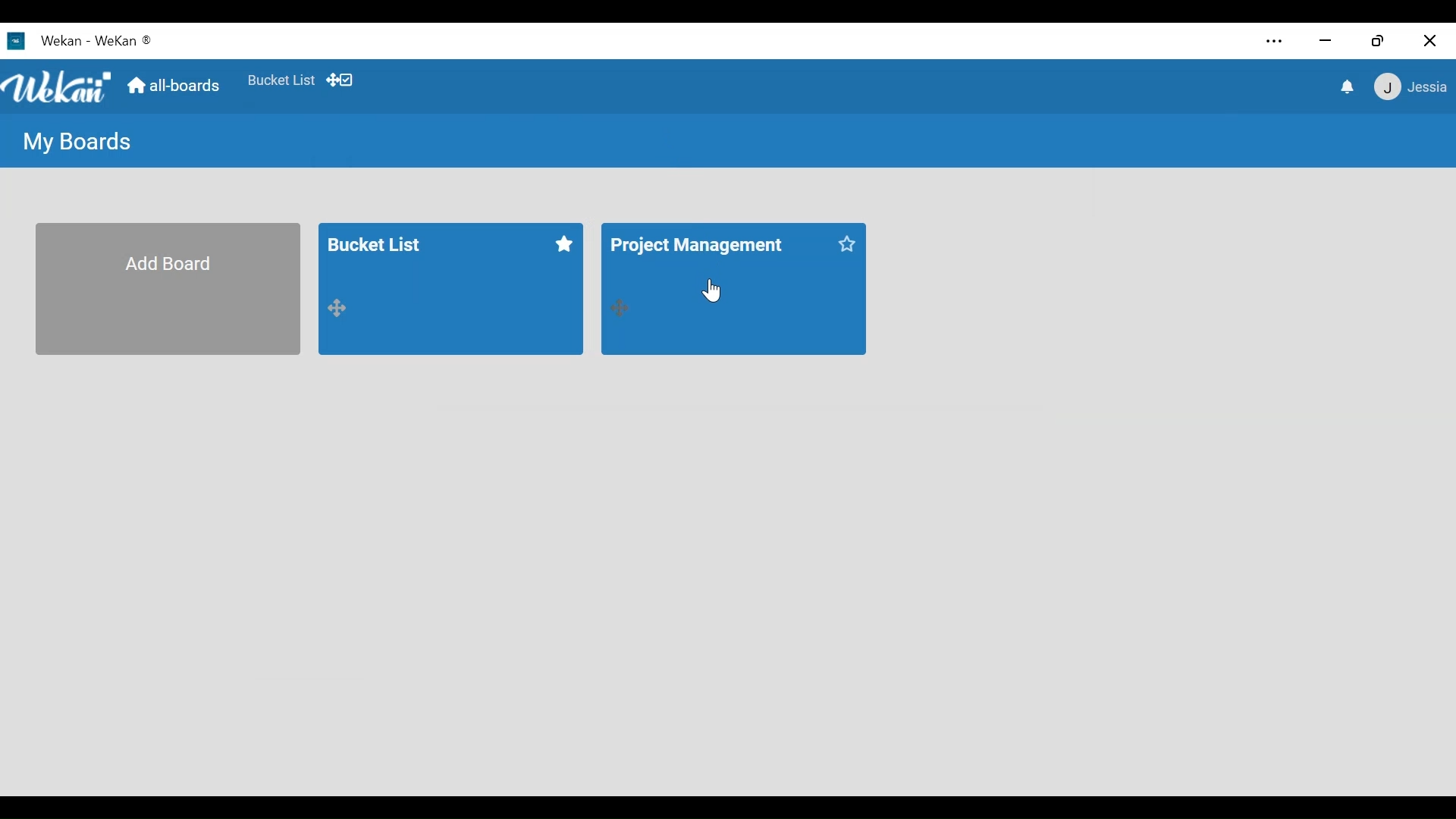  What do you see at coordinates (75, 144) in the screenshot?
I see `My Boards` at bounding box center [75, 144].